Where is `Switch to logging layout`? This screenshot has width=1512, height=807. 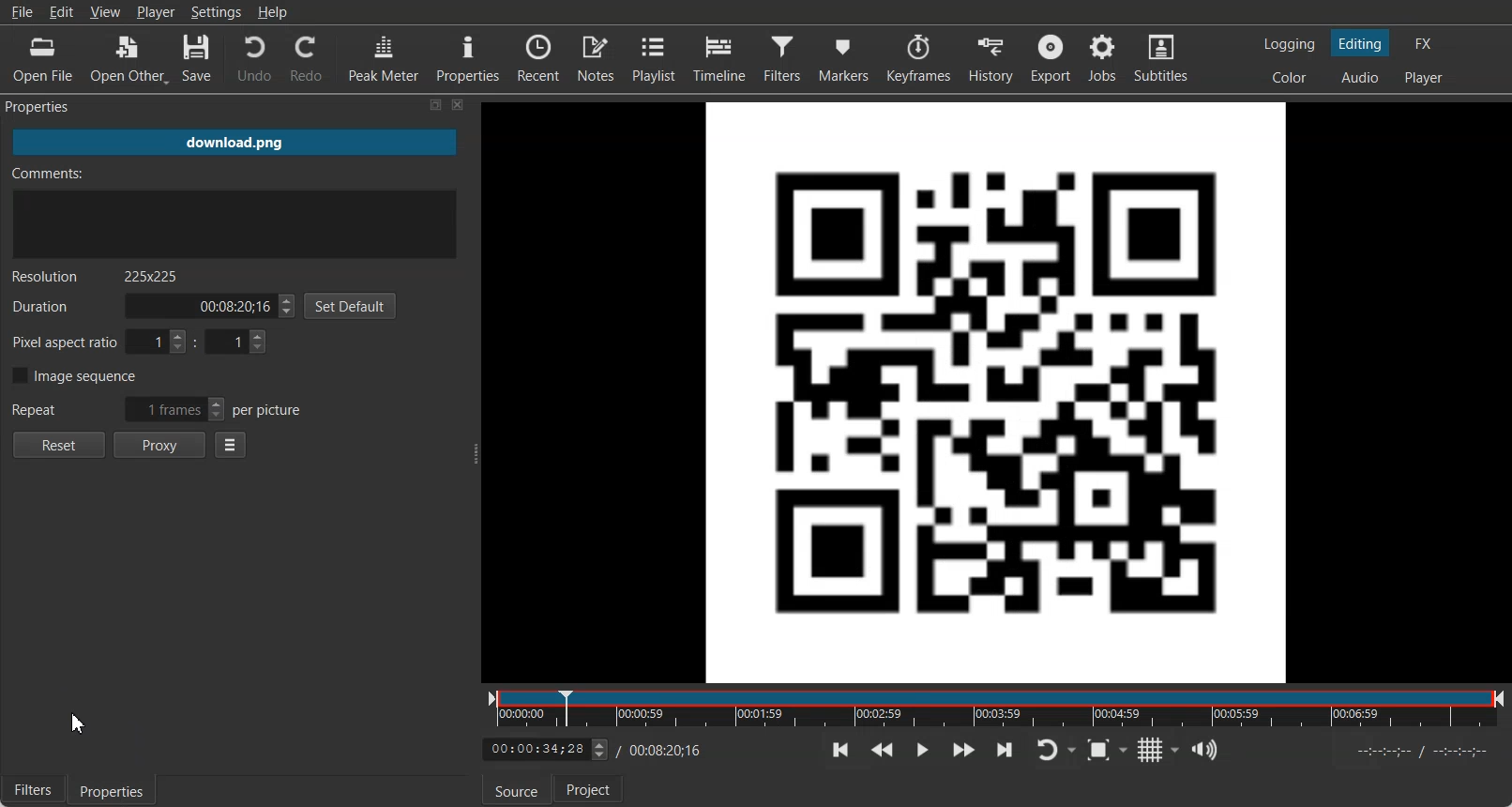 Switch to logging layout is located at coordinates (1291, 43).